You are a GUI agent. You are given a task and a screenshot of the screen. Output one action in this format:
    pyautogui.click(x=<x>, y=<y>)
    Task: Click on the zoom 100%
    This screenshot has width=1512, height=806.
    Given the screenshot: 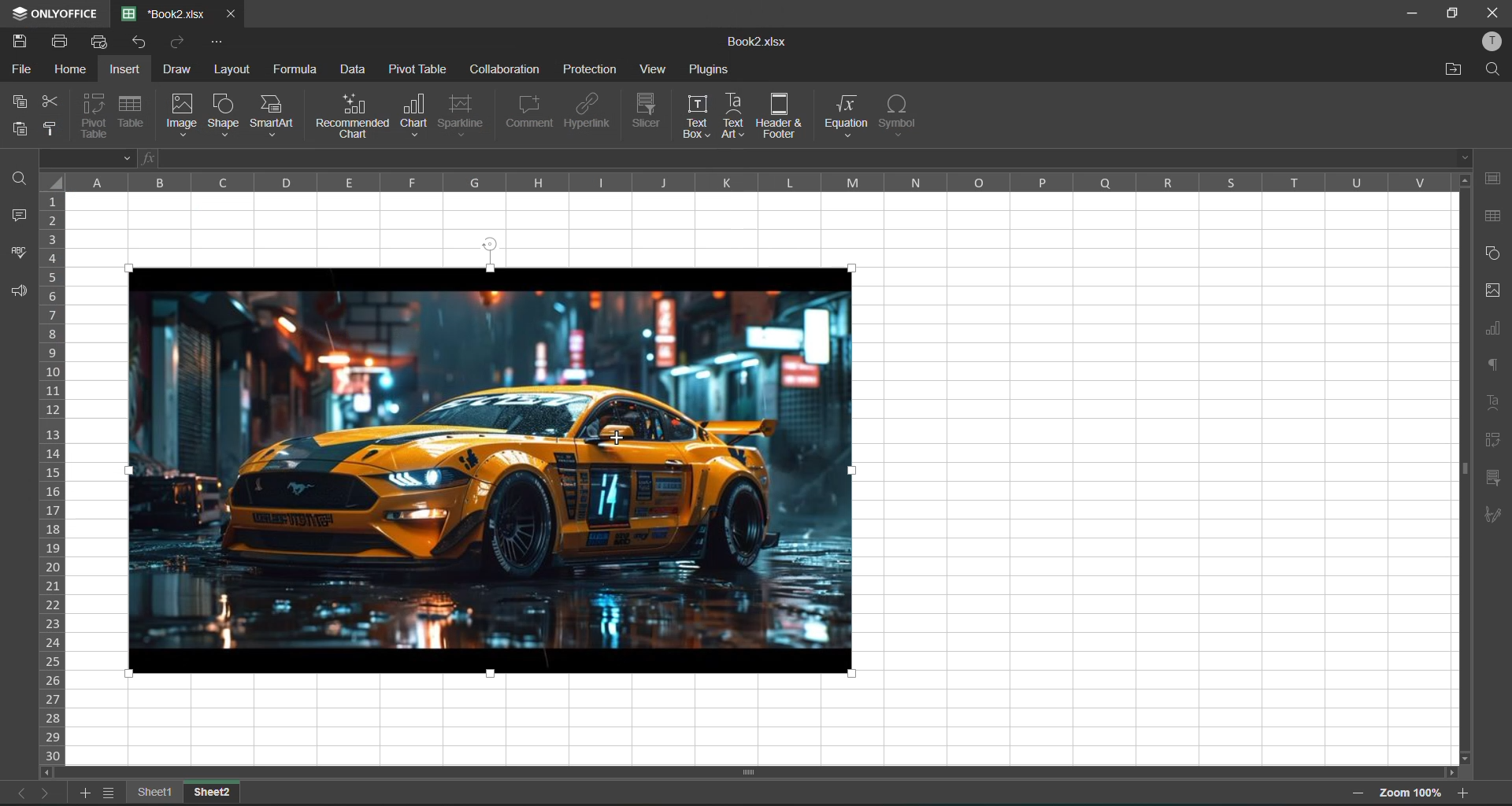 What is the action you would take?
    pyautogui.click(x=1411, y=794)
    